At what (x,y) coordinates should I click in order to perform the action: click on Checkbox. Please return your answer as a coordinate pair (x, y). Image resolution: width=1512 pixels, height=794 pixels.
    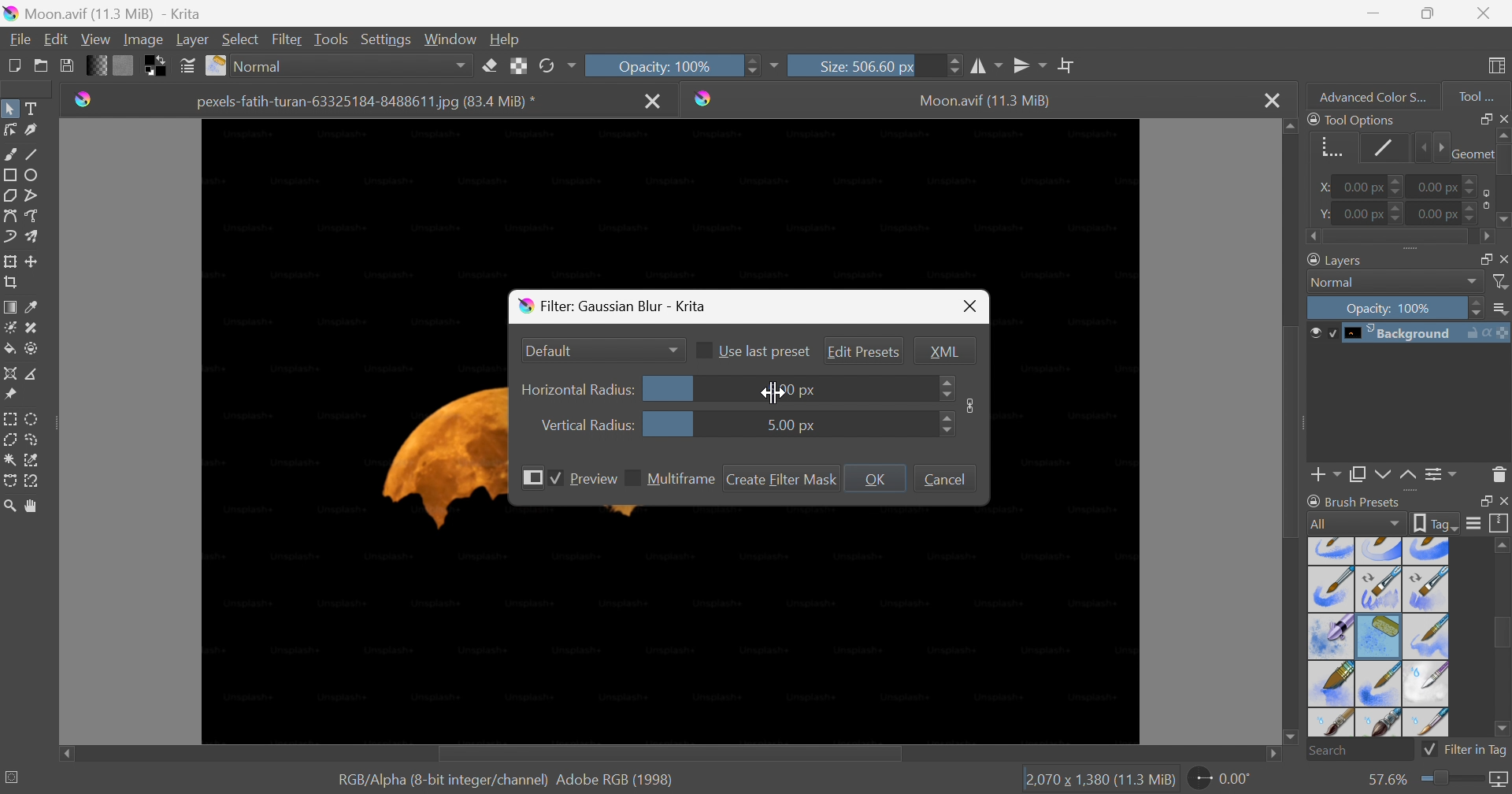
    Looking at the image, I should click on (557, 480).